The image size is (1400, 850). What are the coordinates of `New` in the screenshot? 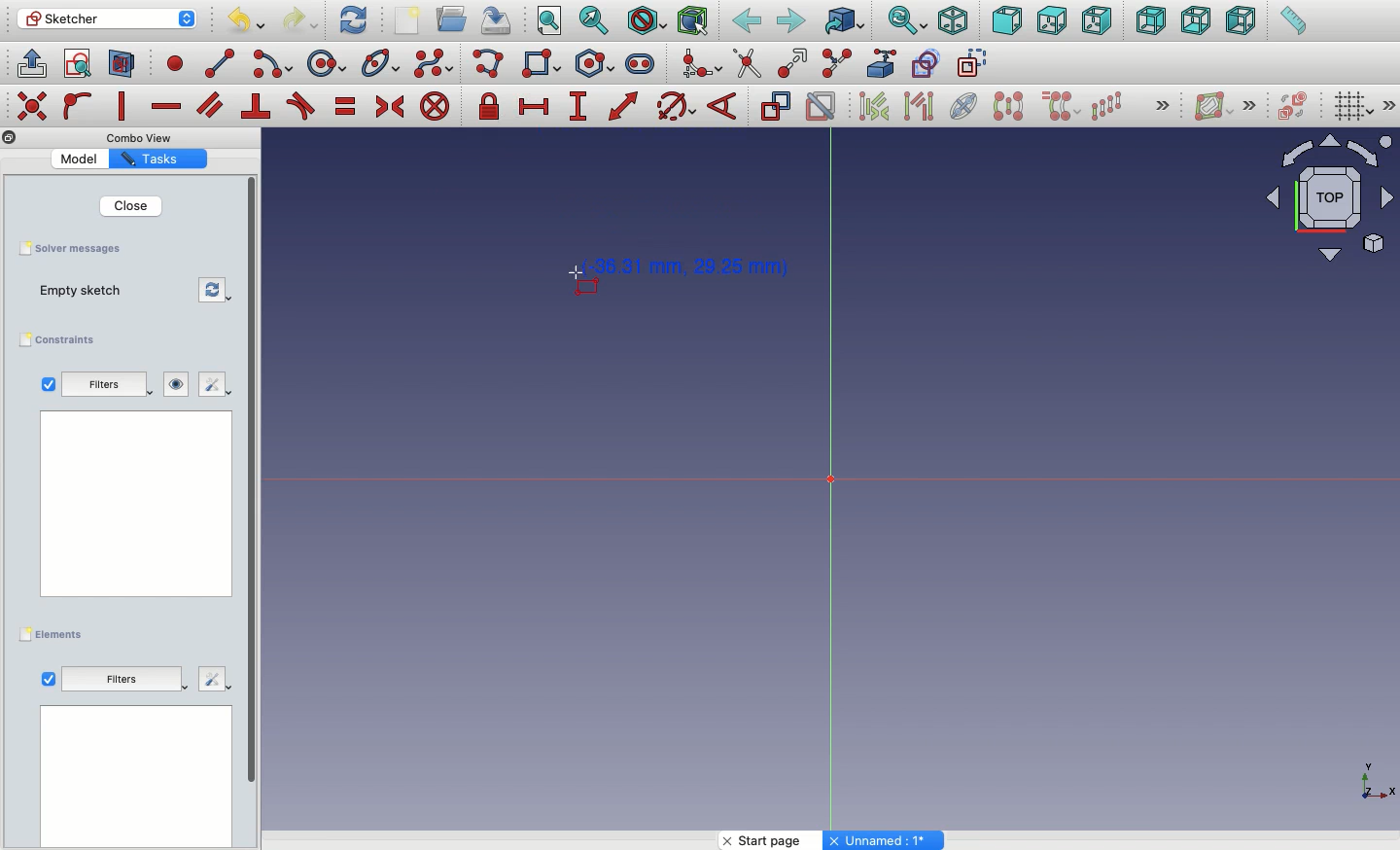 It's located at (411, 22).